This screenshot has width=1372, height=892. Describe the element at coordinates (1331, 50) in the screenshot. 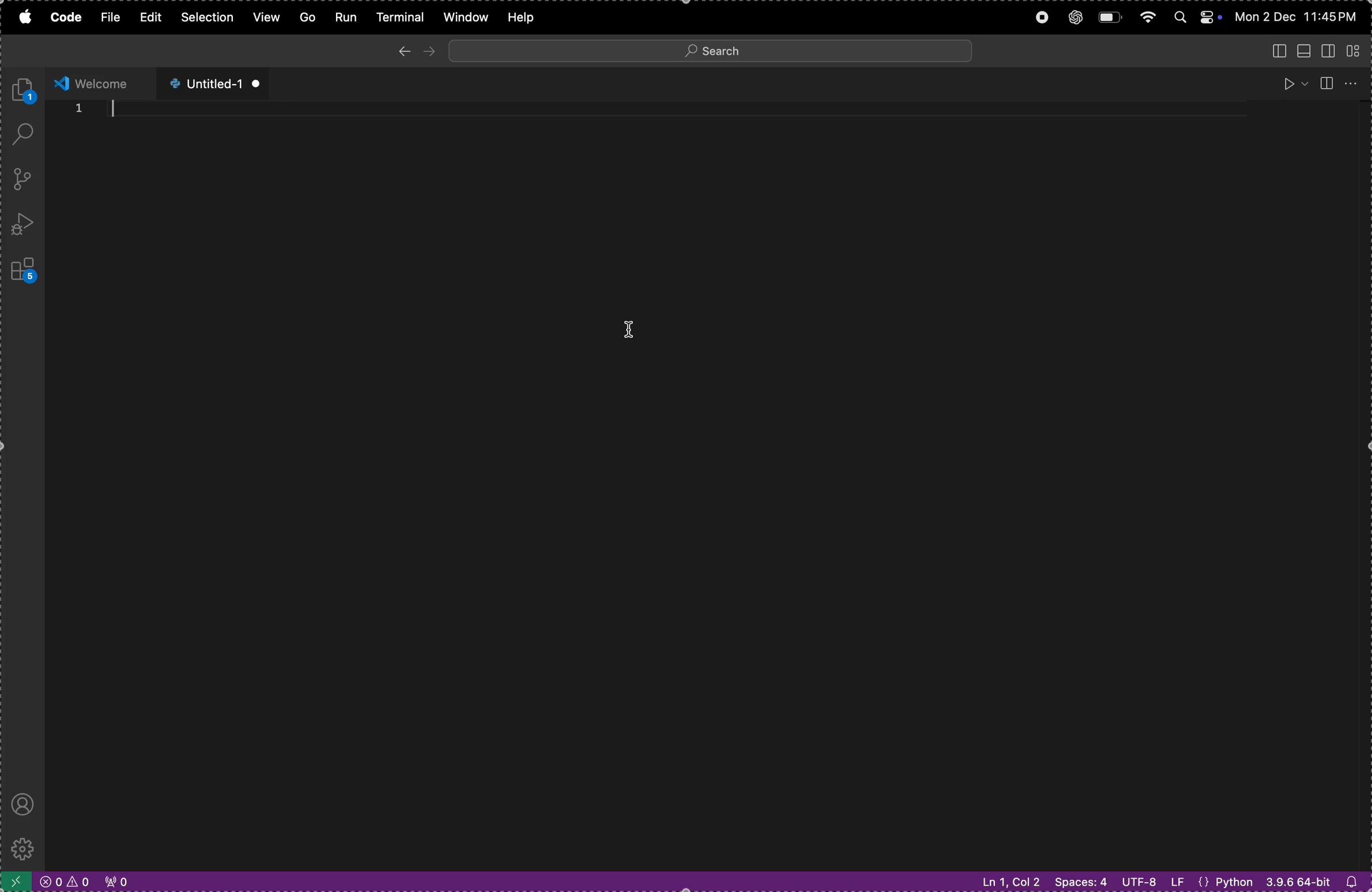

I see `toggle secondary side bar` at that location.